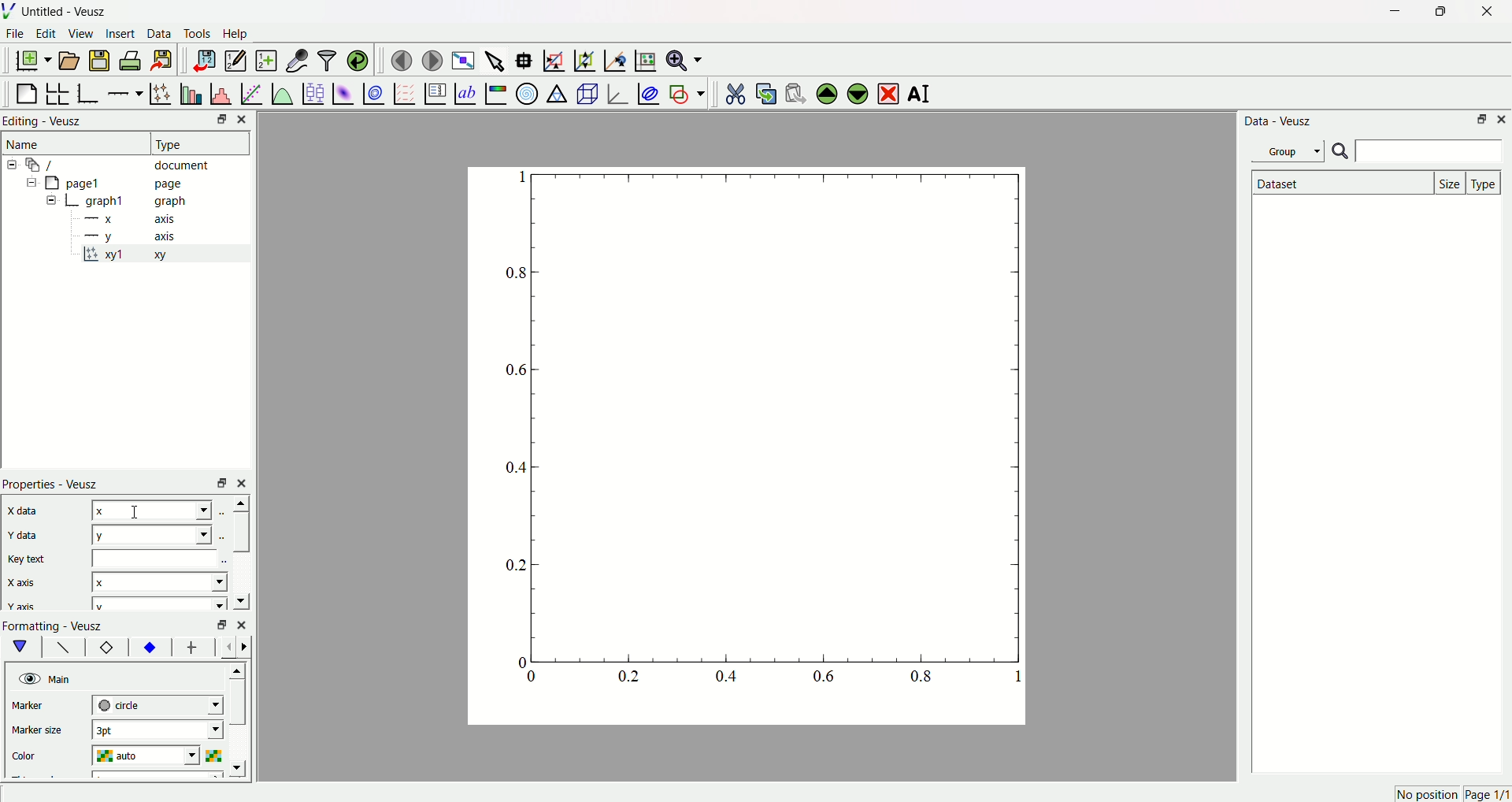 This screenshot has width=1512, height=802. I want to click on minimise, so click(218, 625).